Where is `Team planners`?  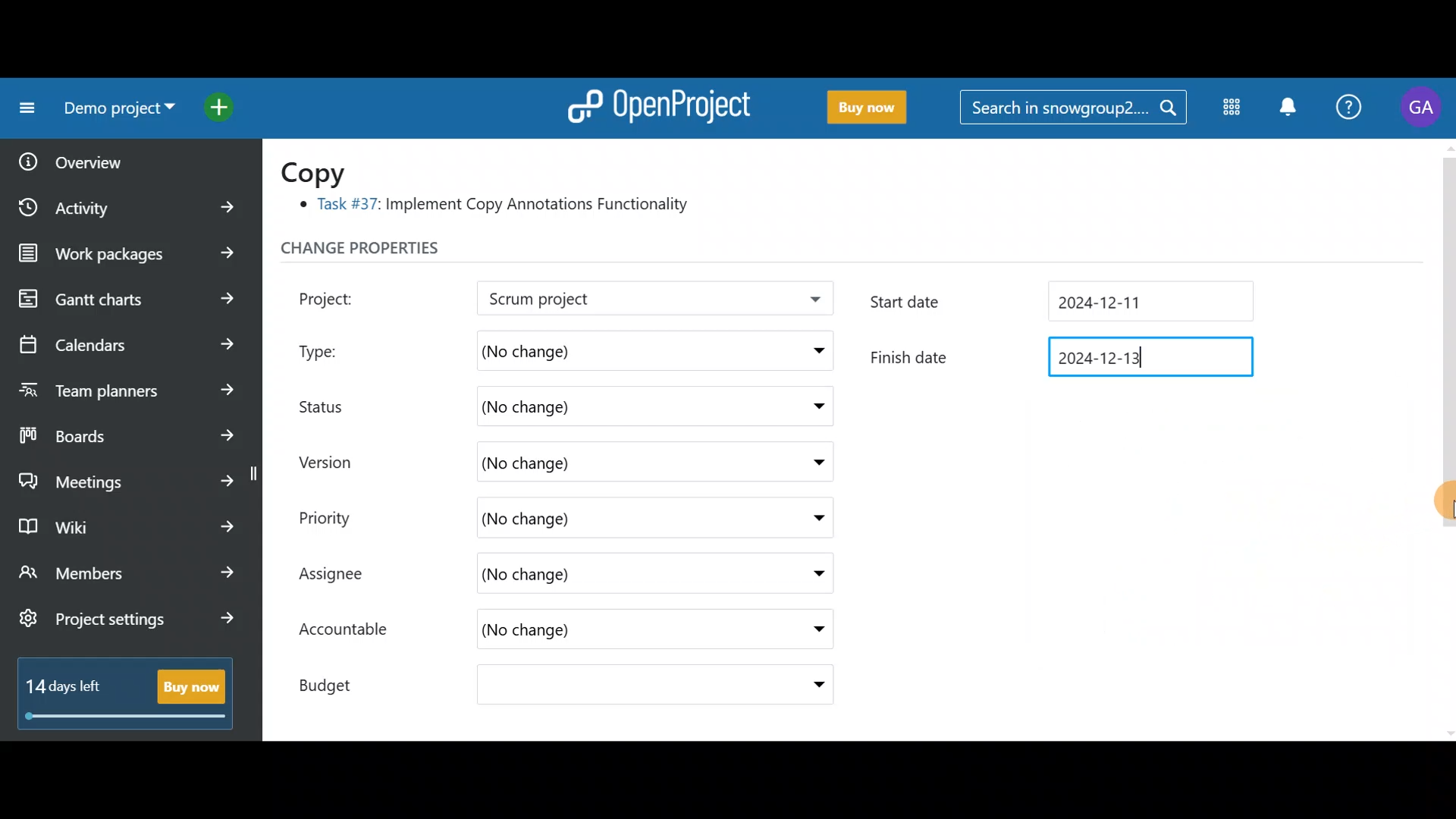 Team planners is located at coordinates (129, 388).